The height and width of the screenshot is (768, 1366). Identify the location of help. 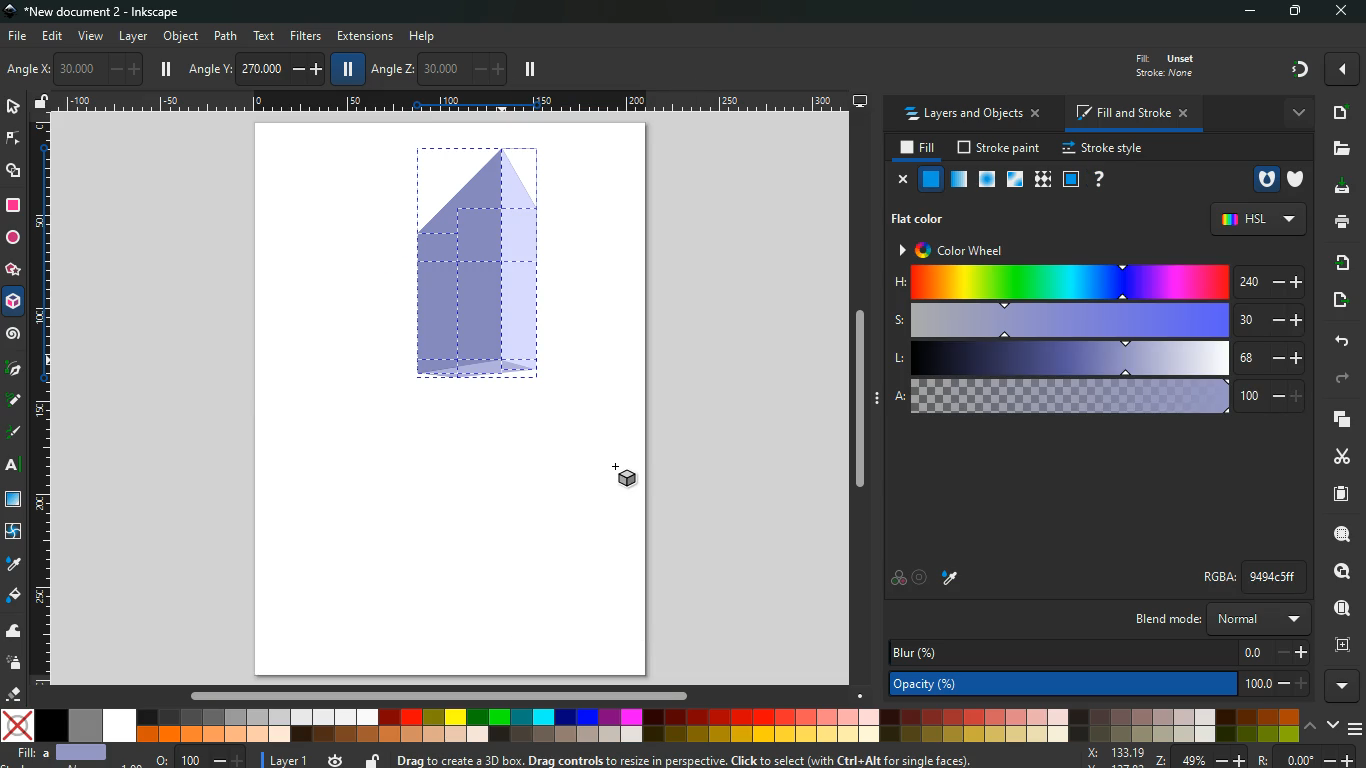
(1098, 180).